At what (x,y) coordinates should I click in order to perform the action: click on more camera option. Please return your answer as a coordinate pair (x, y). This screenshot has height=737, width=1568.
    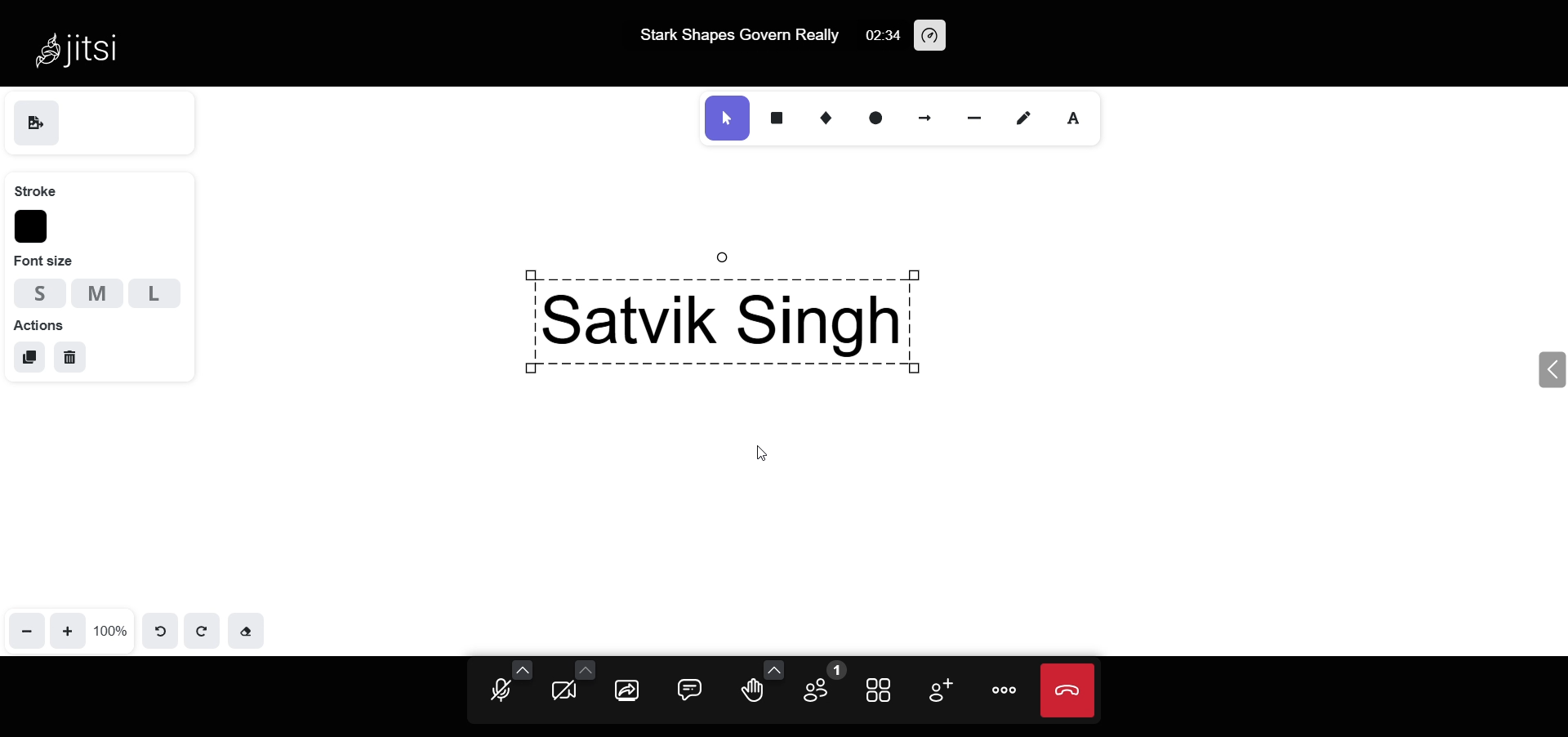
    Looking at the image, I should click on (585, 668).